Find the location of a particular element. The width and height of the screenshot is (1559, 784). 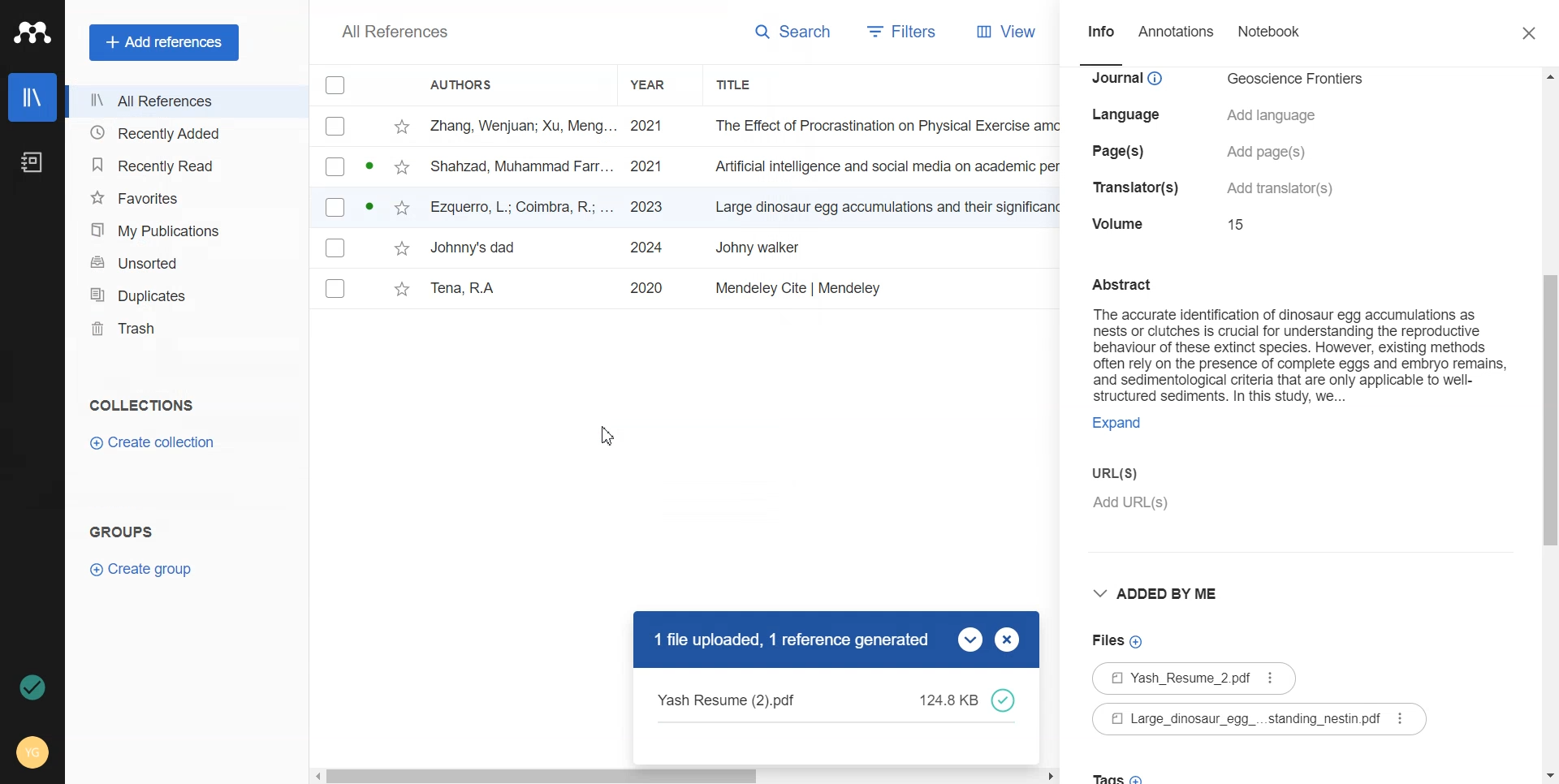

Drop down box is located at coordinates (970, 639).